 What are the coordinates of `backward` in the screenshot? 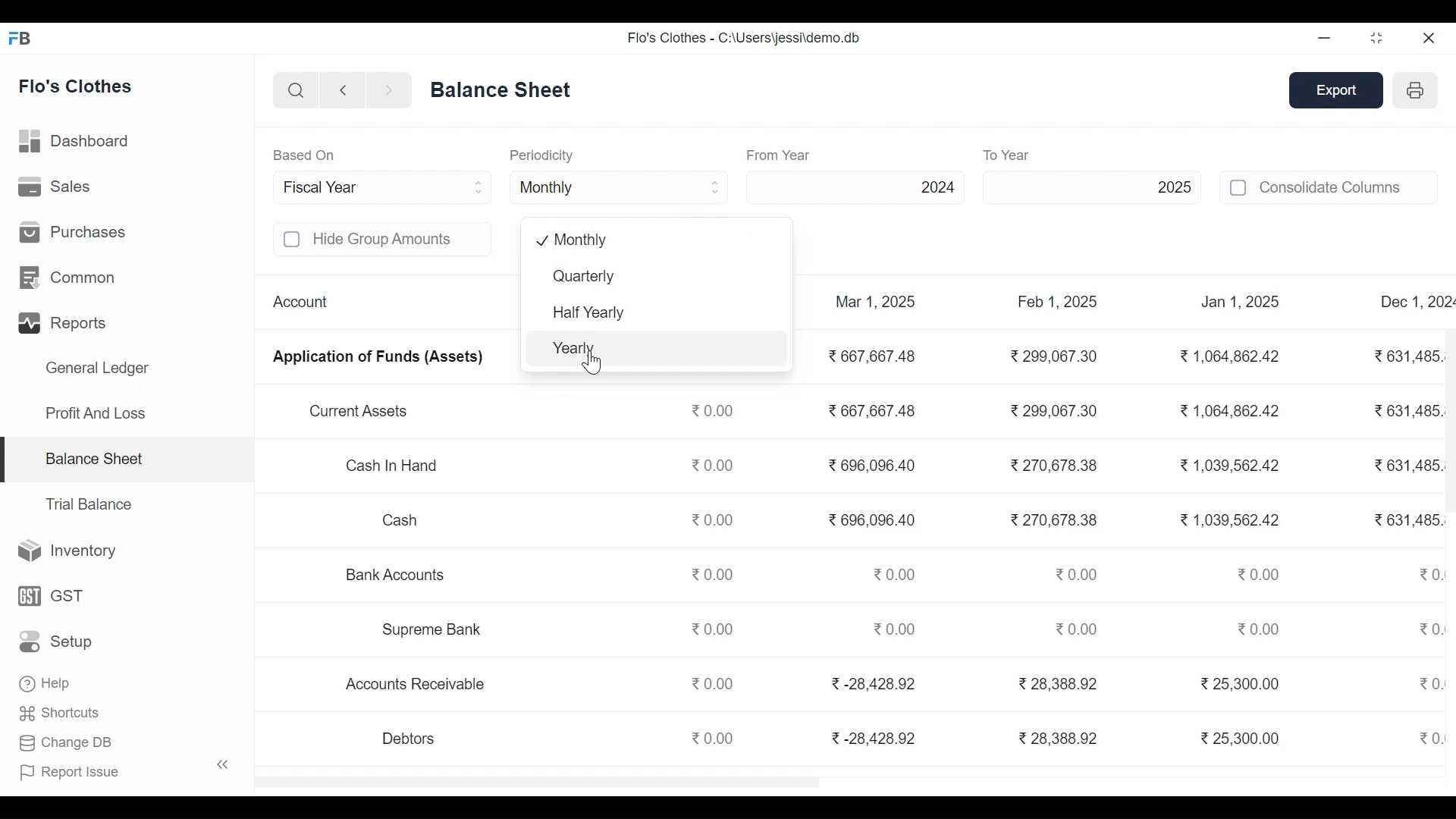 It's located at (344, 92).